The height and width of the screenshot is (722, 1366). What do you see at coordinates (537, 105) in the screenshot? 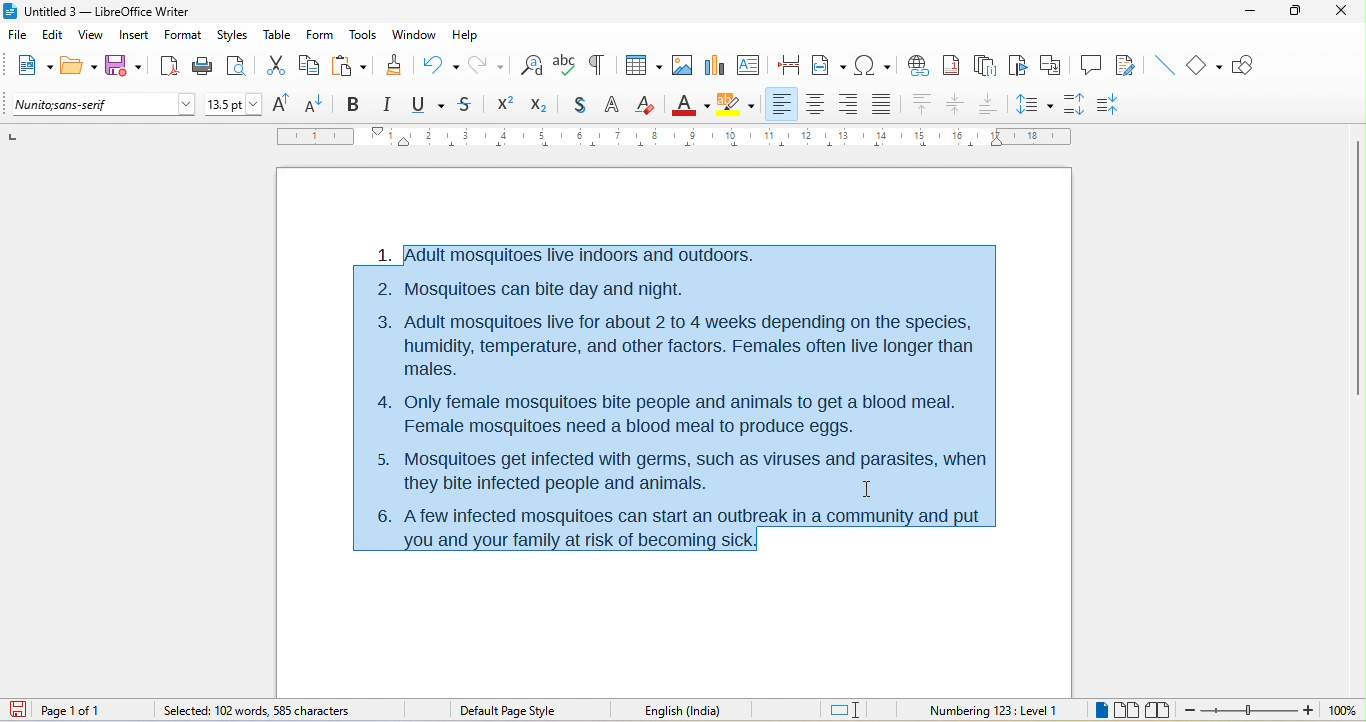
I see `subscript` at bounding box center [537, 105].